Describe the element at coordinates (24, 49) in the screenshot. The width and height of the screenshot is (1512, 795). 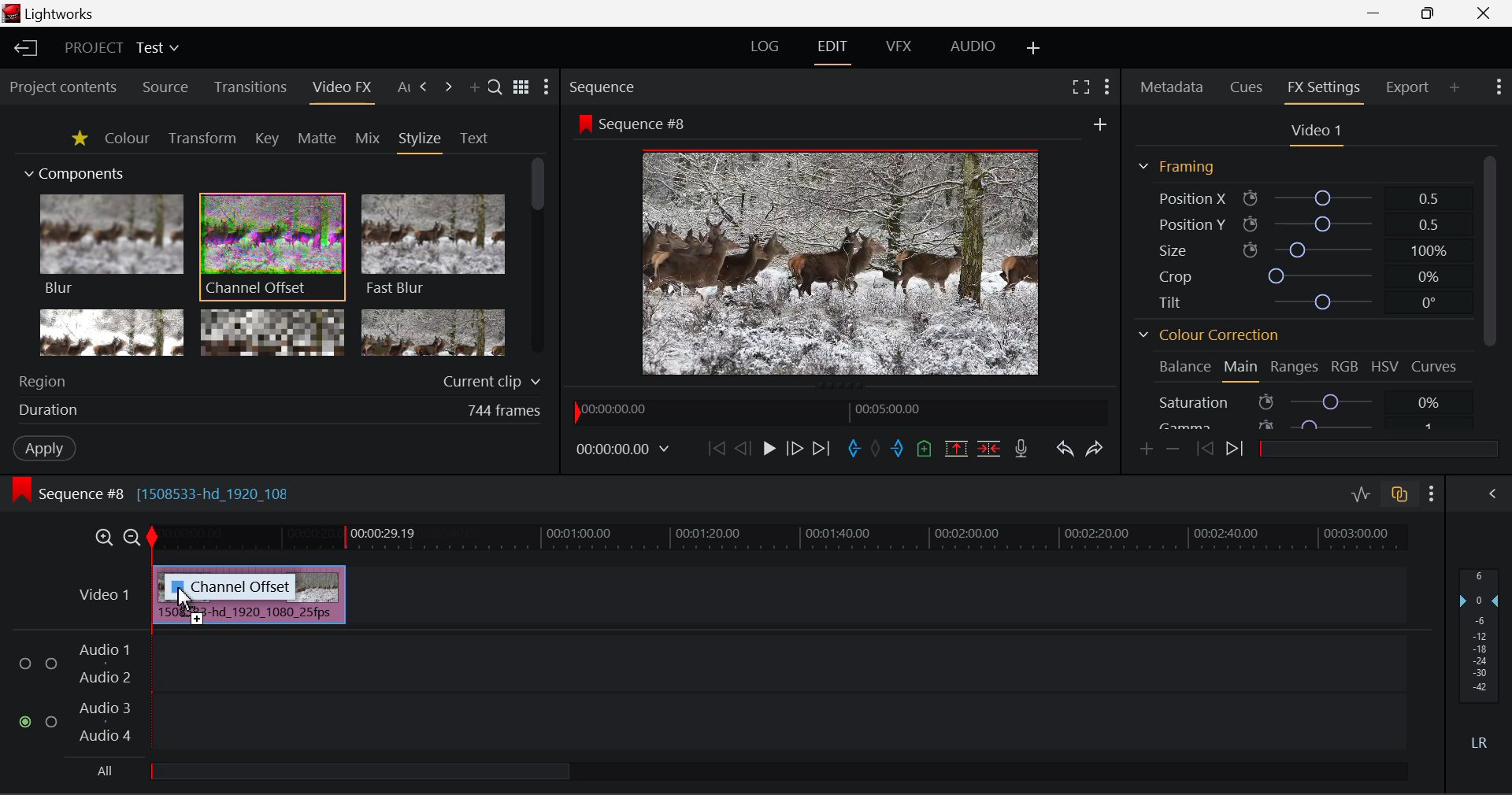
I see `Back to Homepage` at that location.